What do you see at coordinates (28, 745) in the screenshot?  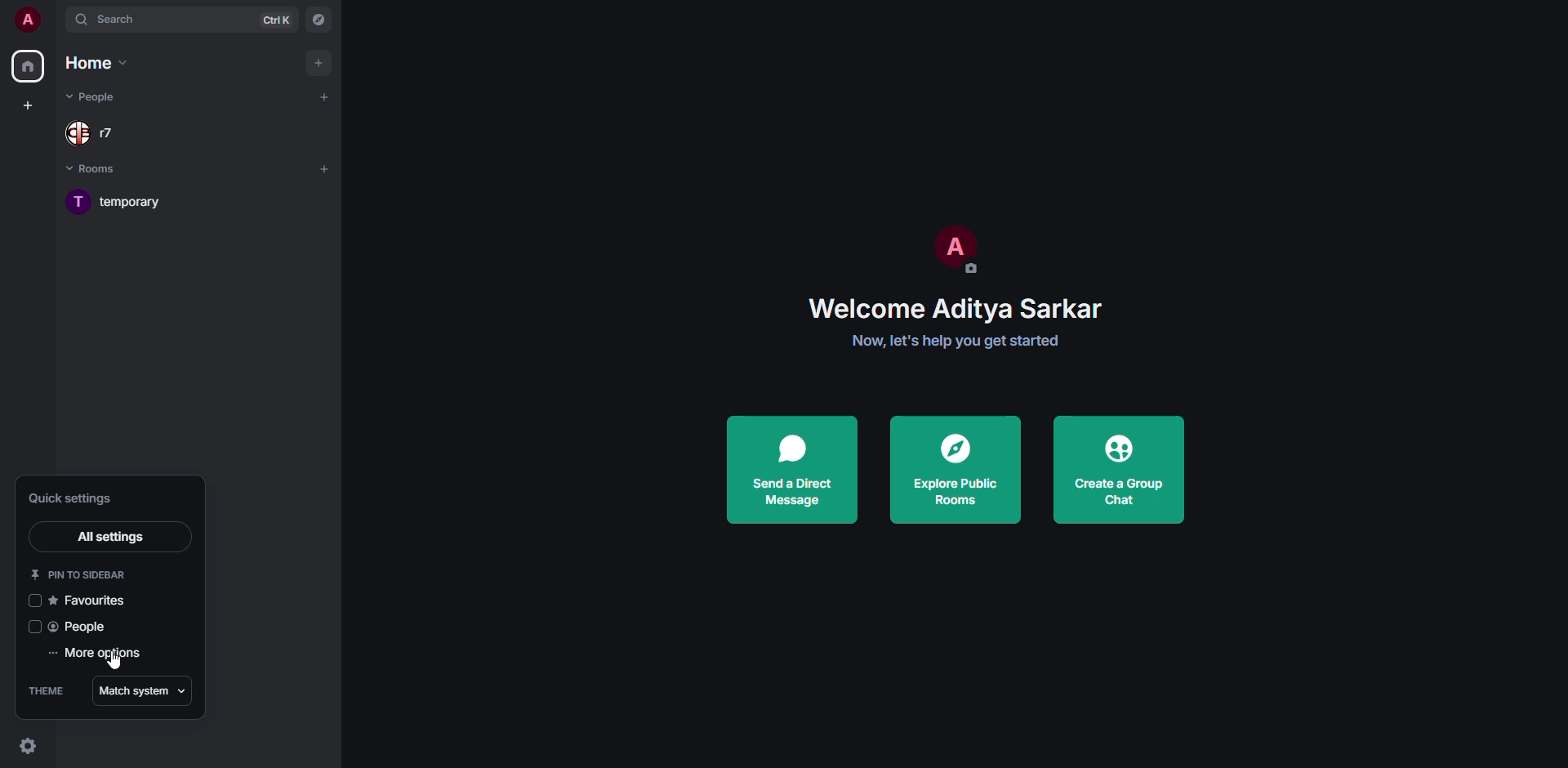 I see `quick settings` at bounding box center [28, 745].